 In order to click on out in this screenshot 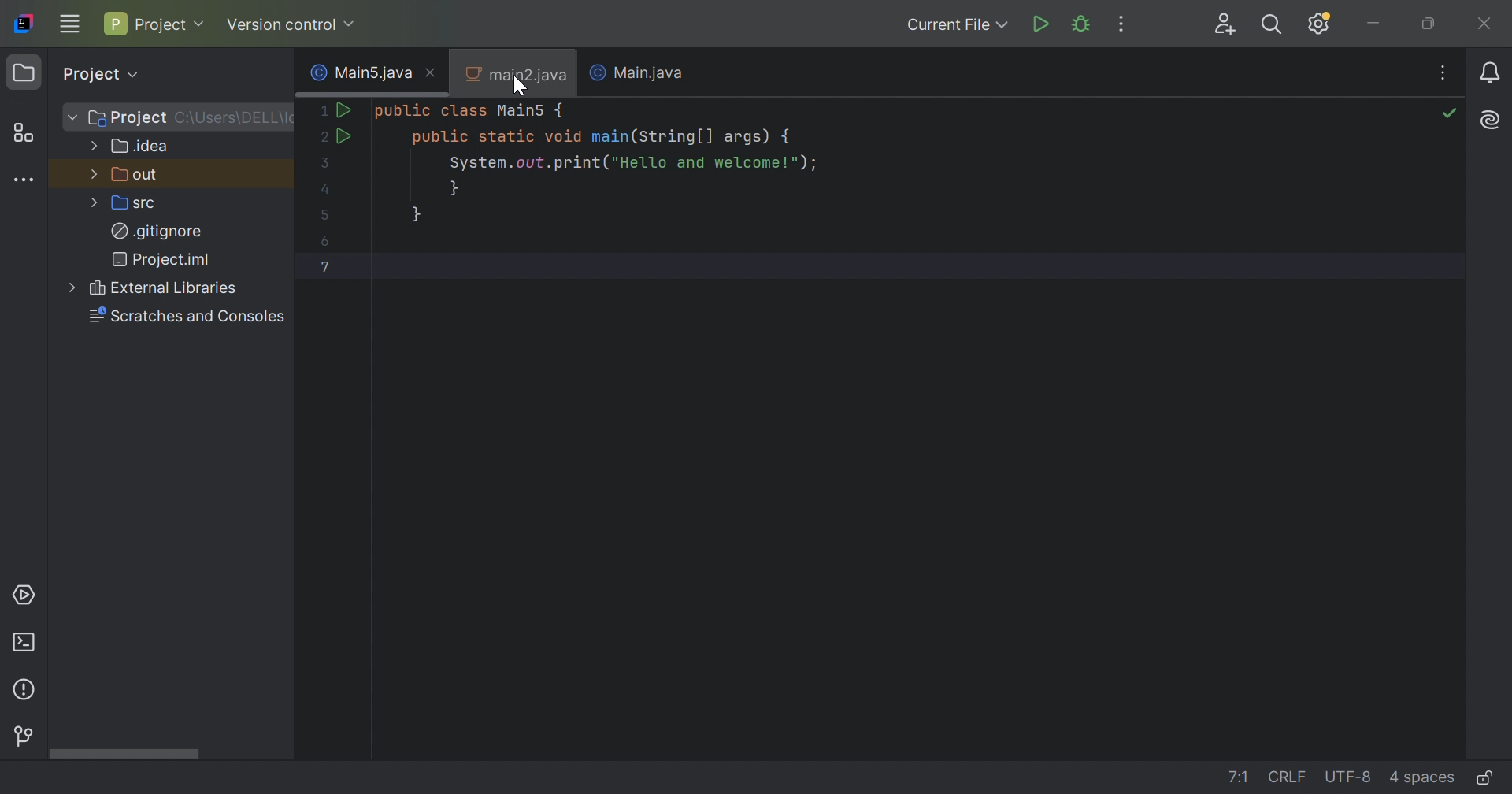, I will do `click(138, 176)`.